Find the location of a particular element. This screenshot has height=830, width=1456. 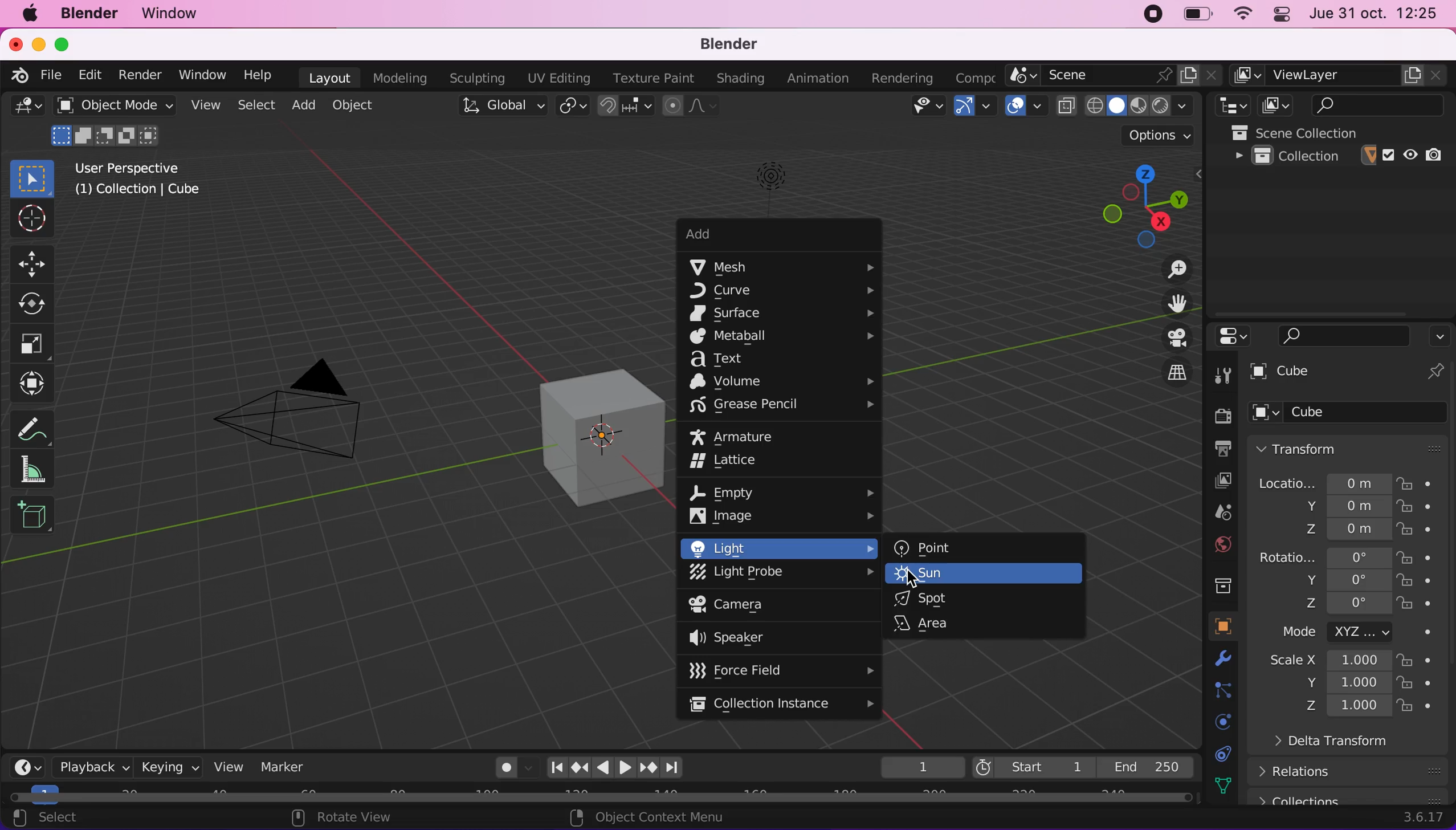

lattice is located at coordinates (737, 463).